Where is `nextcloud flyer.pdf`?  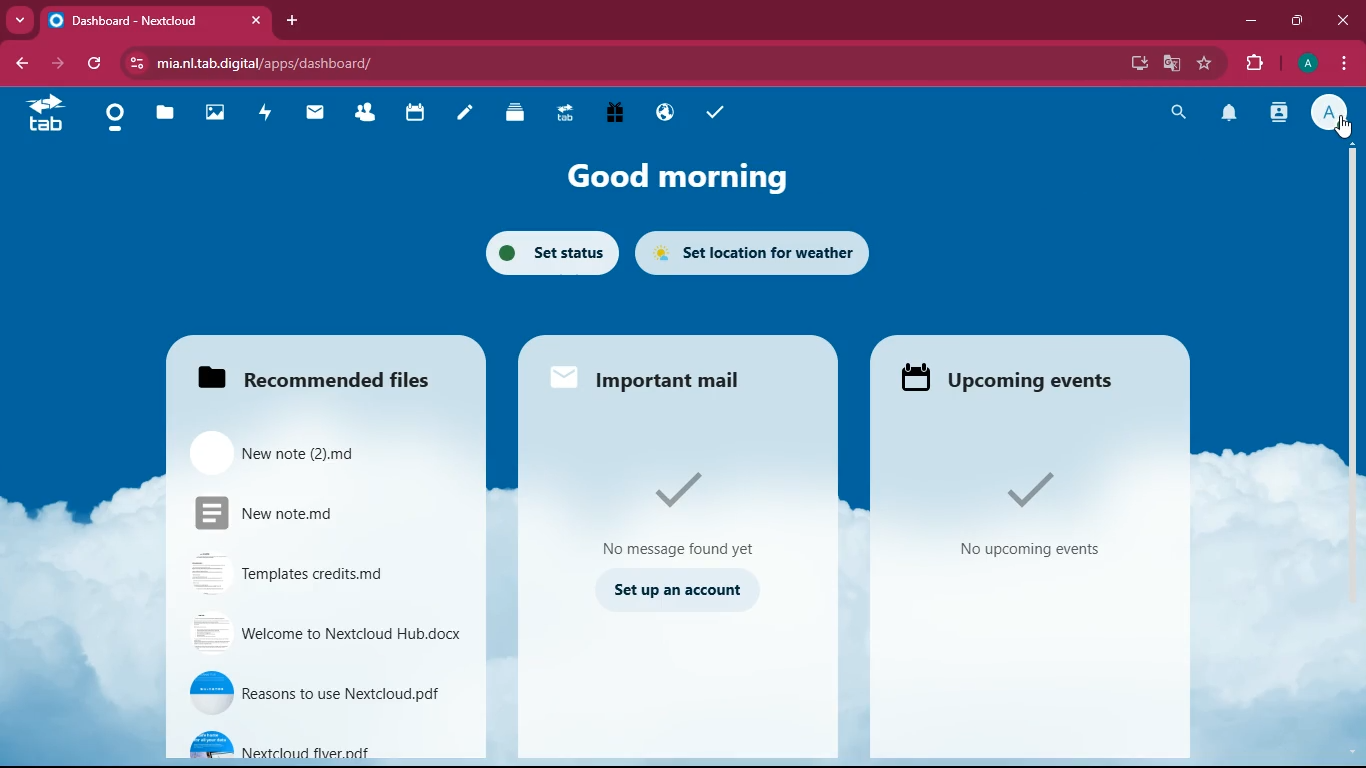 nextcloud flyer.pdf is located at coordinates (314, 742).